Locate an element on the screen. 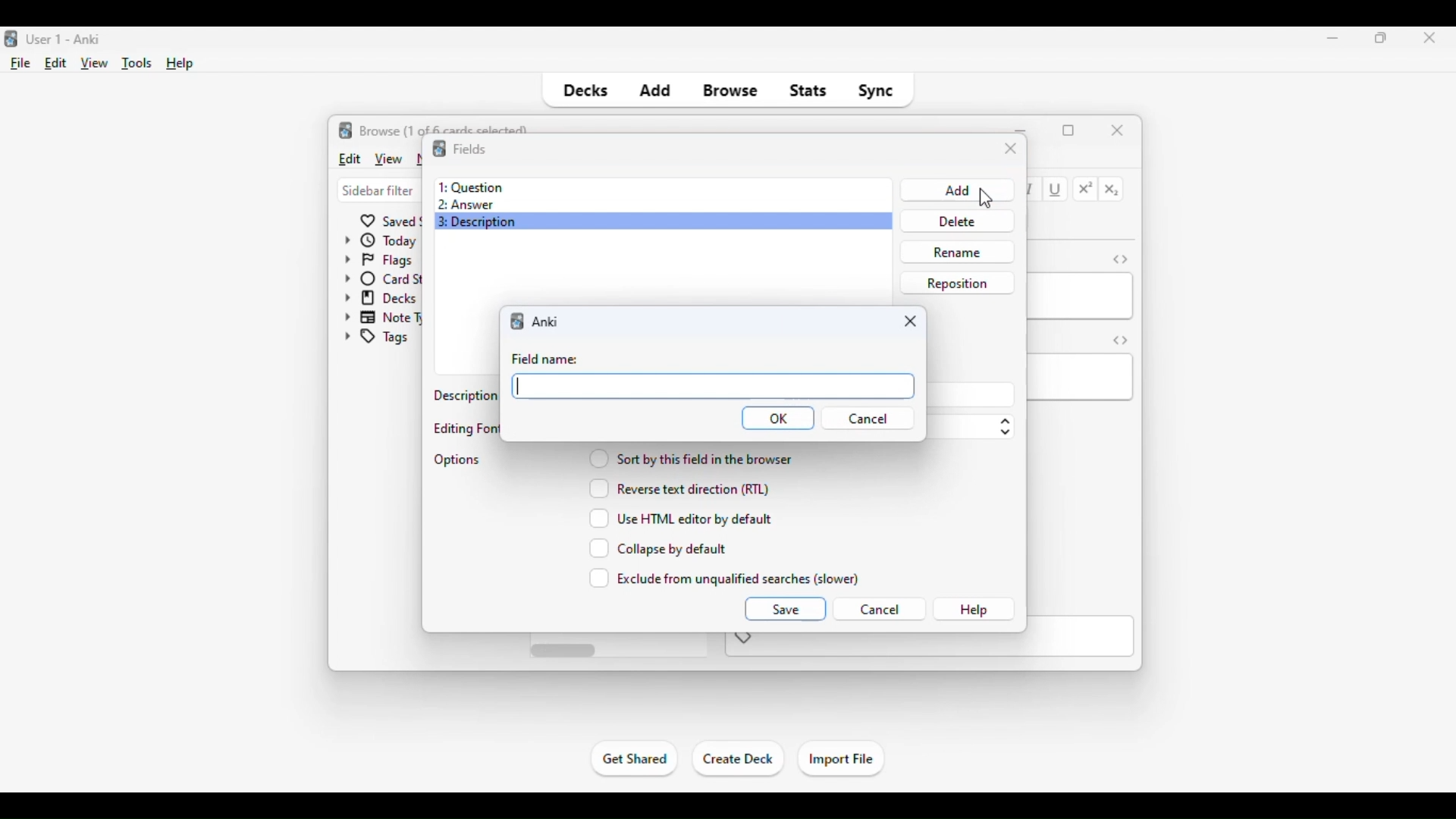 The height and width of the screenshot is (819, 1456). cursor is located at coordinates (984, 201).